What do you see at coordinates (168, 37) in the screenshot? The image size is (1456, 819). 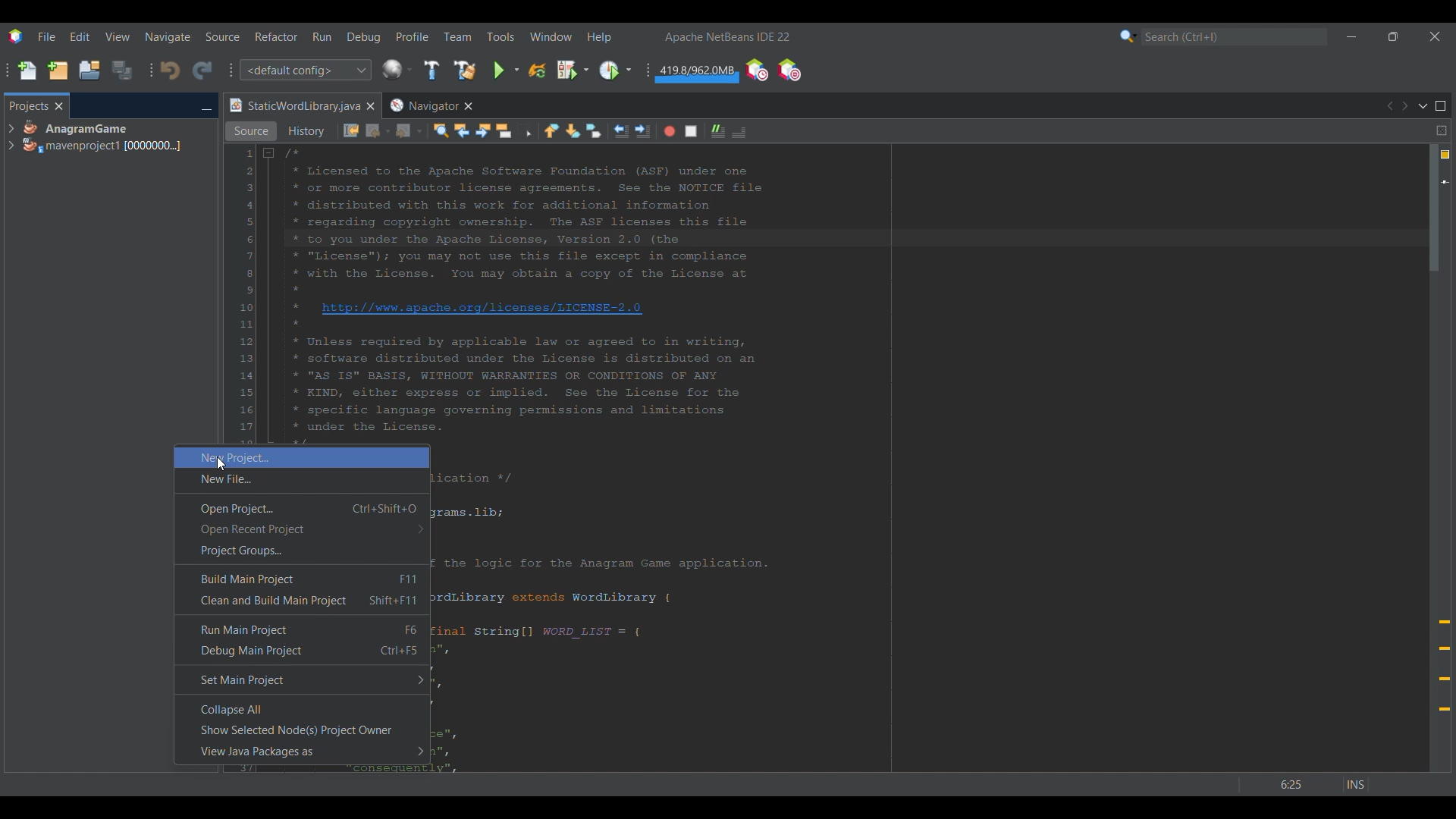 I see `Naviagate menu` at bounding box center [168, 37].